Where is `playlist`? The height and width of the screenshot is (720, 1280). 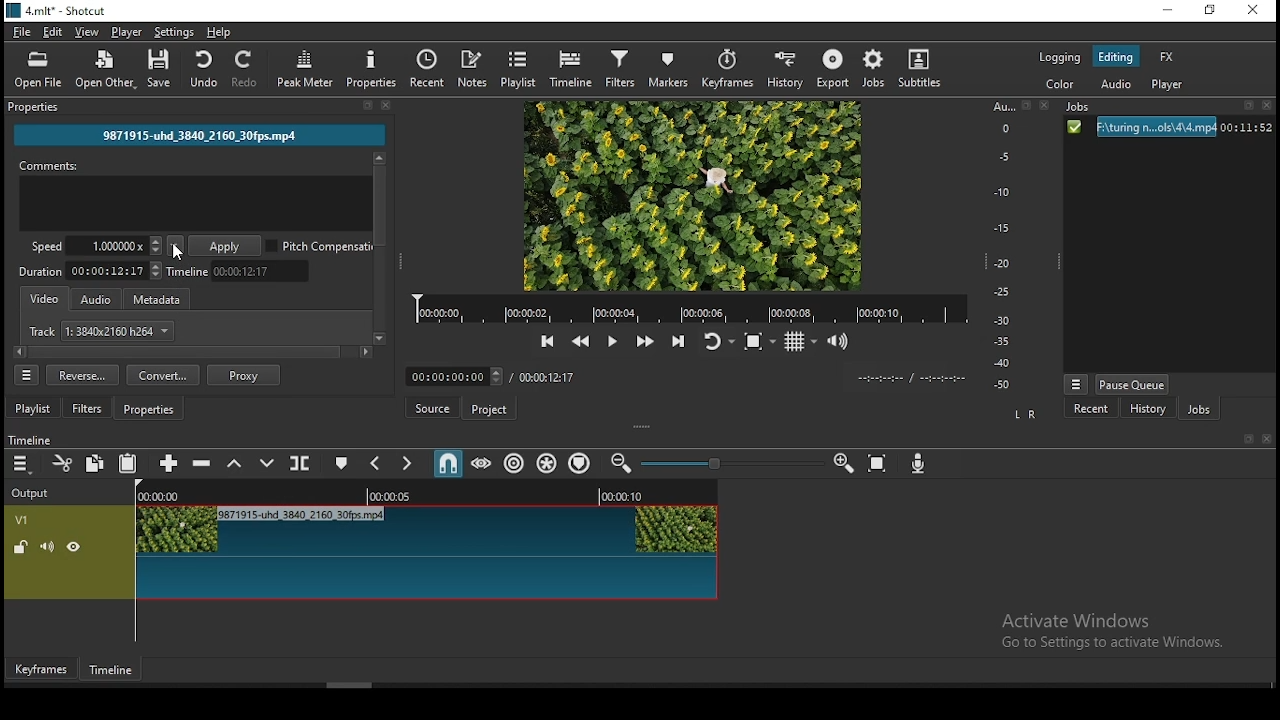 playlist is located at coordinates (33, 407).